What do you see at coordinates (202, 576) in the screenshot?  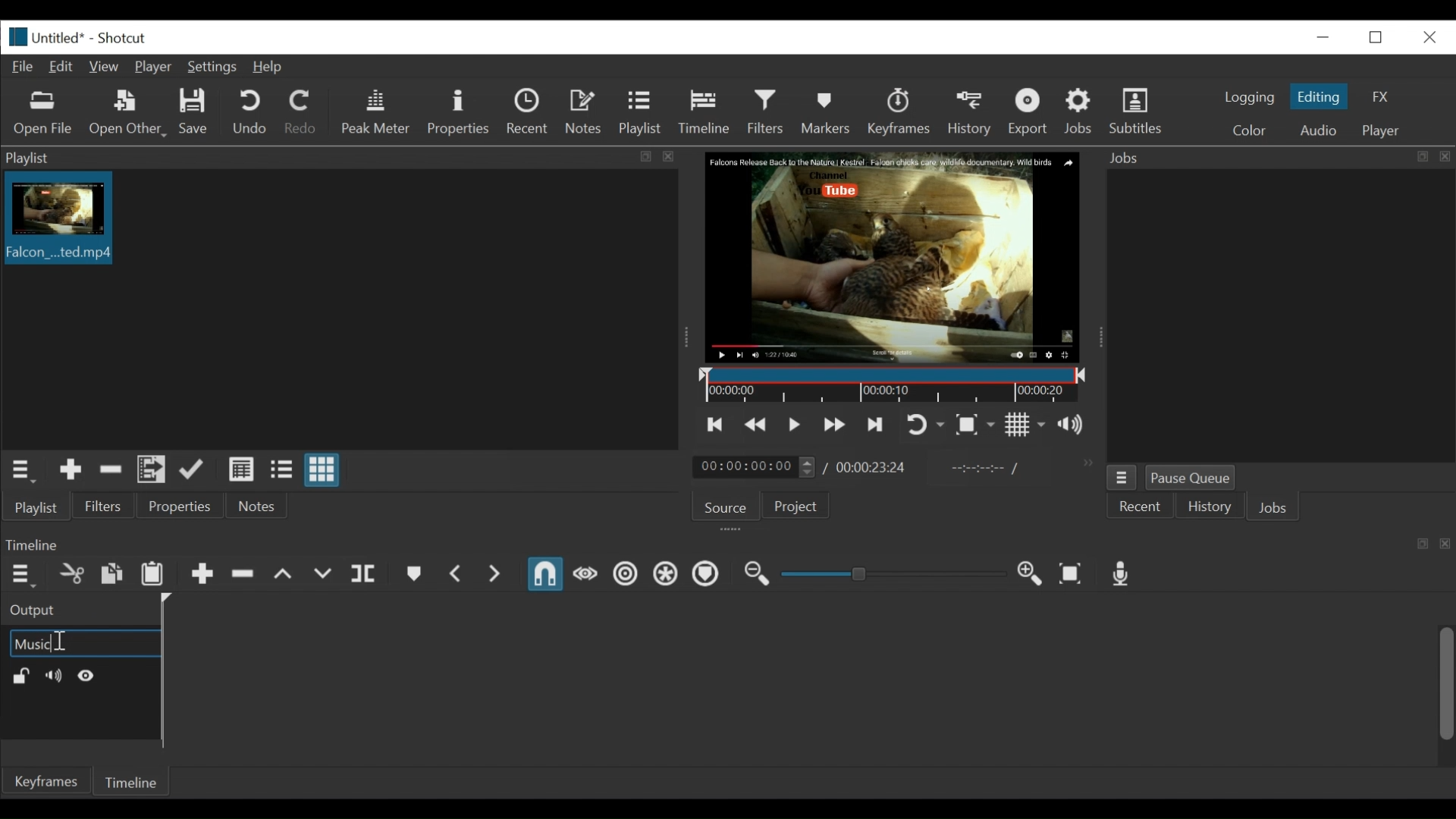 I see `Append` at bounding box center [202, 576].